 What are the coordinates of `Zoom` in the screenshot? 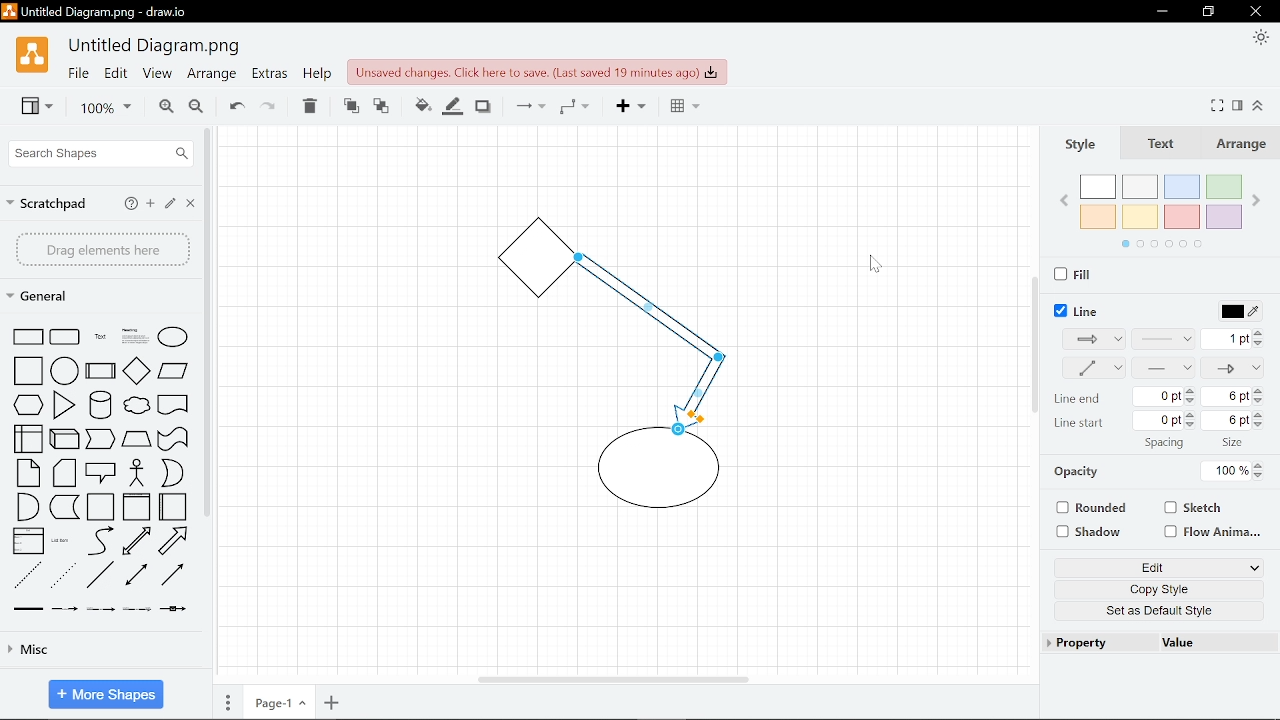 It's located at (98, 108).